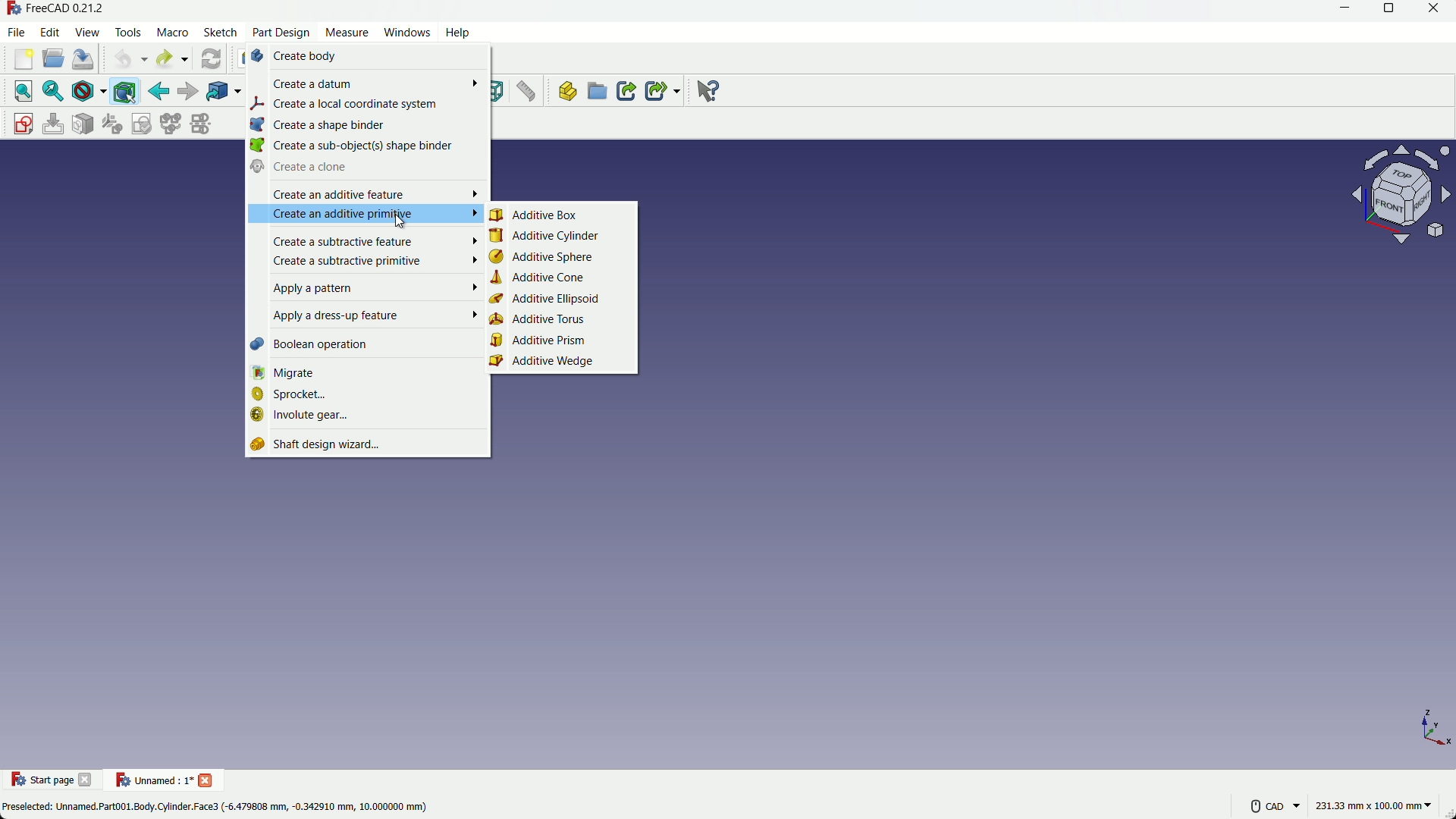 This screenshot has height=819, width=1456. What do you see at coordinates (123, 61) in the screenshot?
I see `undo` at bounding box center [123, 61].